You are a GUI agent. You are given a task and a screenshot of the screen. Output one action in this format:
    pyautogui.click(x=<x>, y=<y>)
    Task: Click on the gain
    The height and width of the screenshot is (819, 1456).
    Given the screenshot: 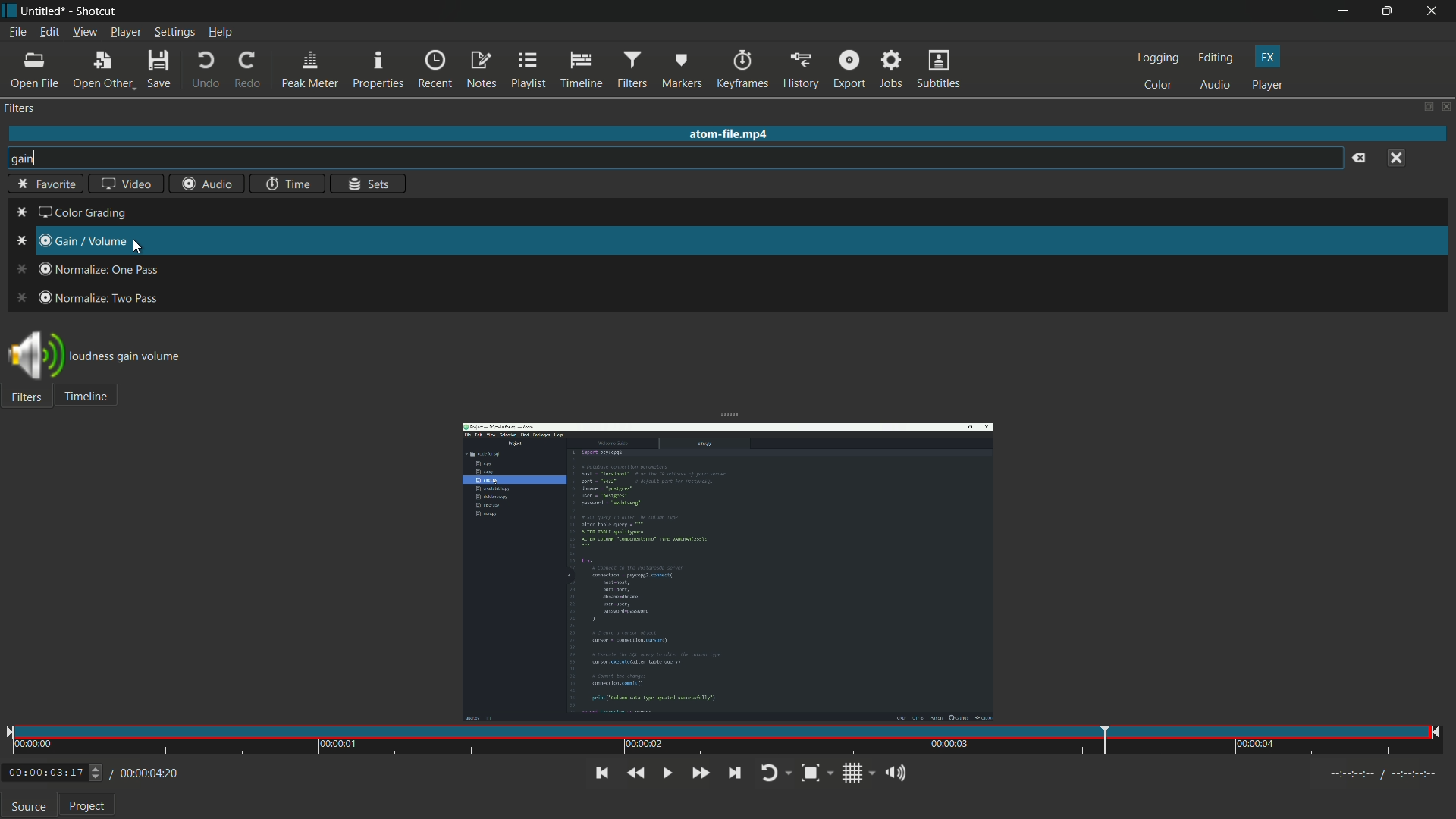 What is the action you would take?
    pyautogui.click(x=25, y=159)
    